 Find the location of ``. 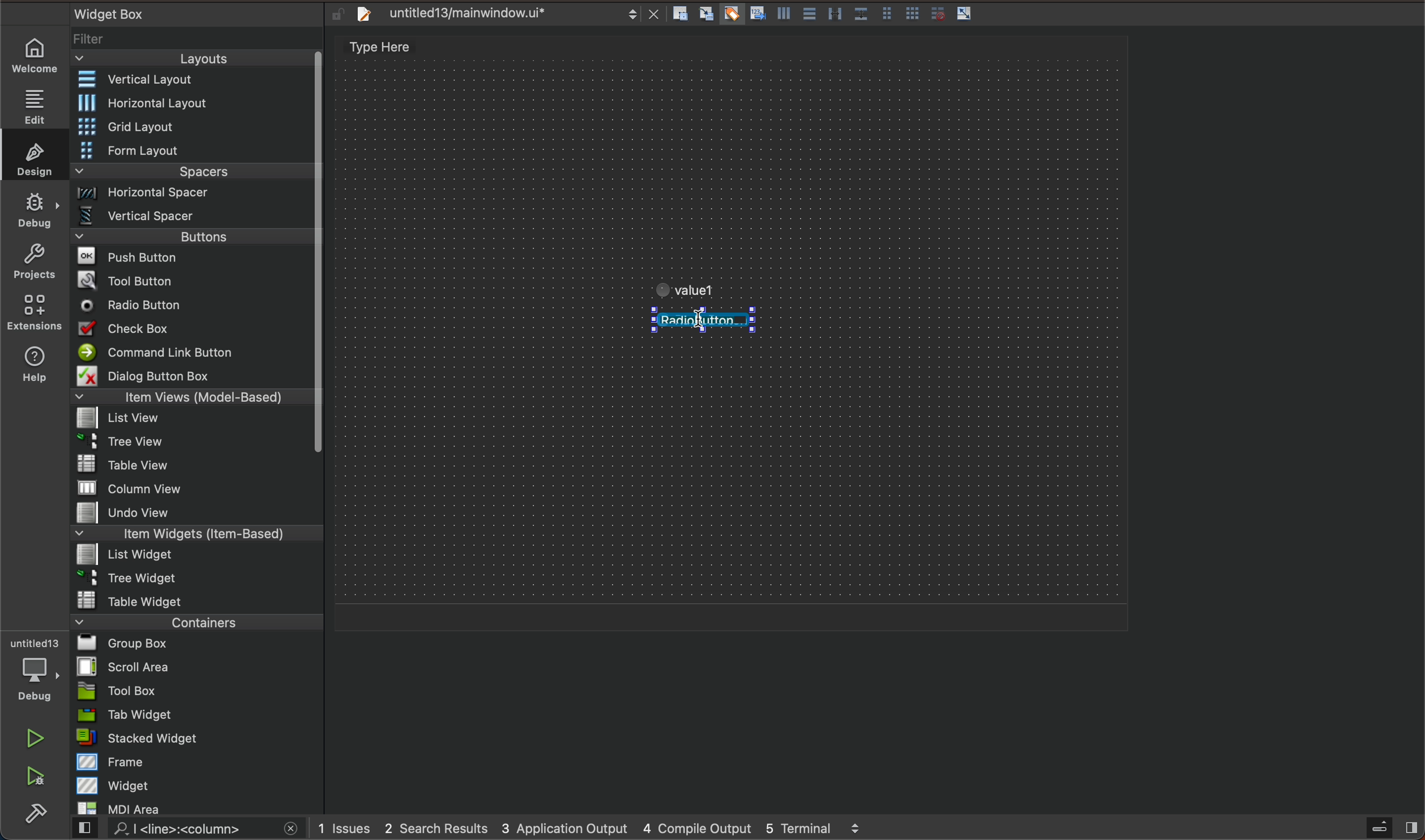

 is located at coordinates (860, 15).